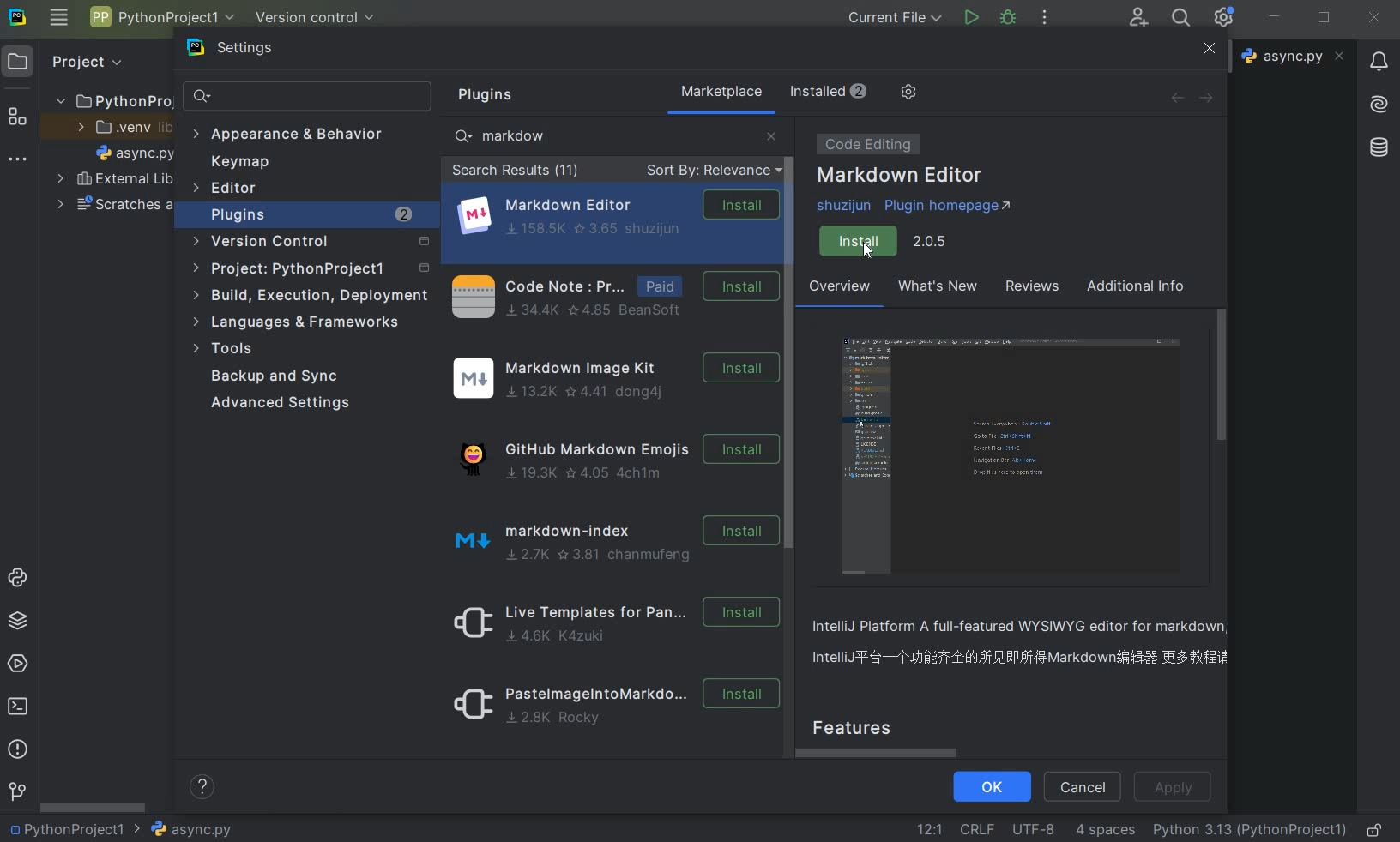  I want to click on debug, so click(1010, 20).